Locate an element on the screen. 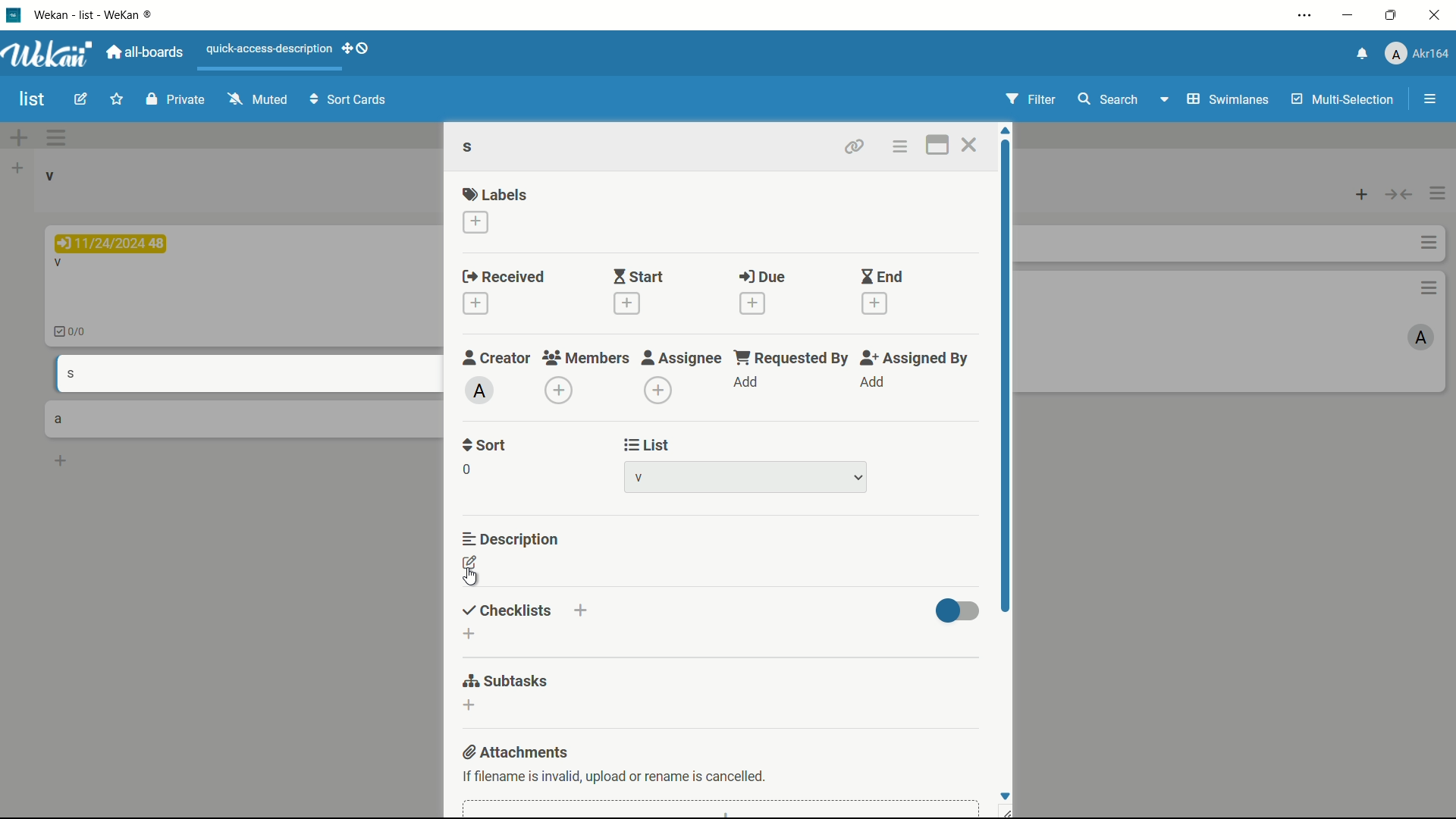 The height and width of the screenshot is (819, 1456). profile is located at coordinates (1419, 52).